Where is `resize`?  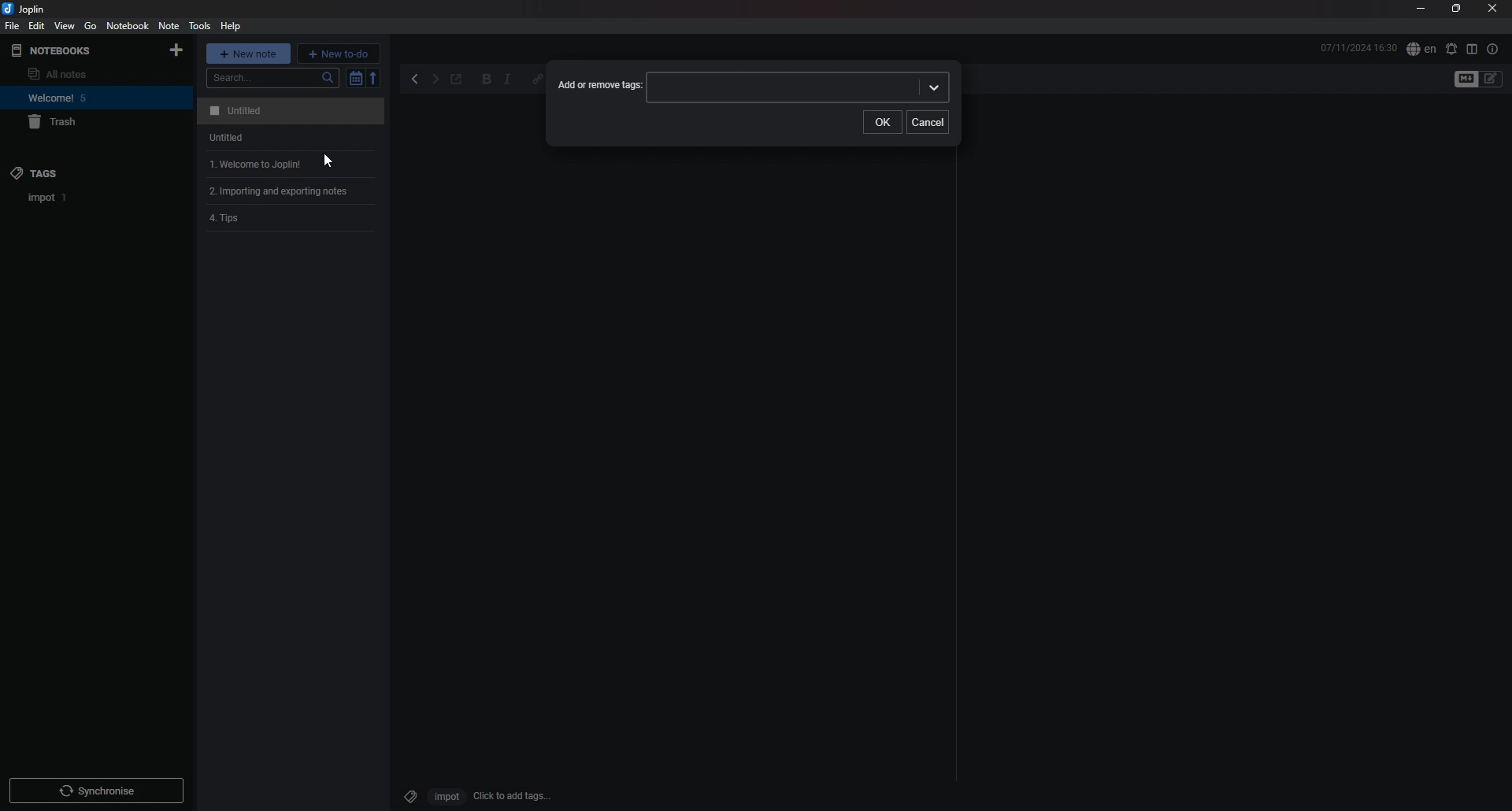
resize is located at coordinates (1455, 9).